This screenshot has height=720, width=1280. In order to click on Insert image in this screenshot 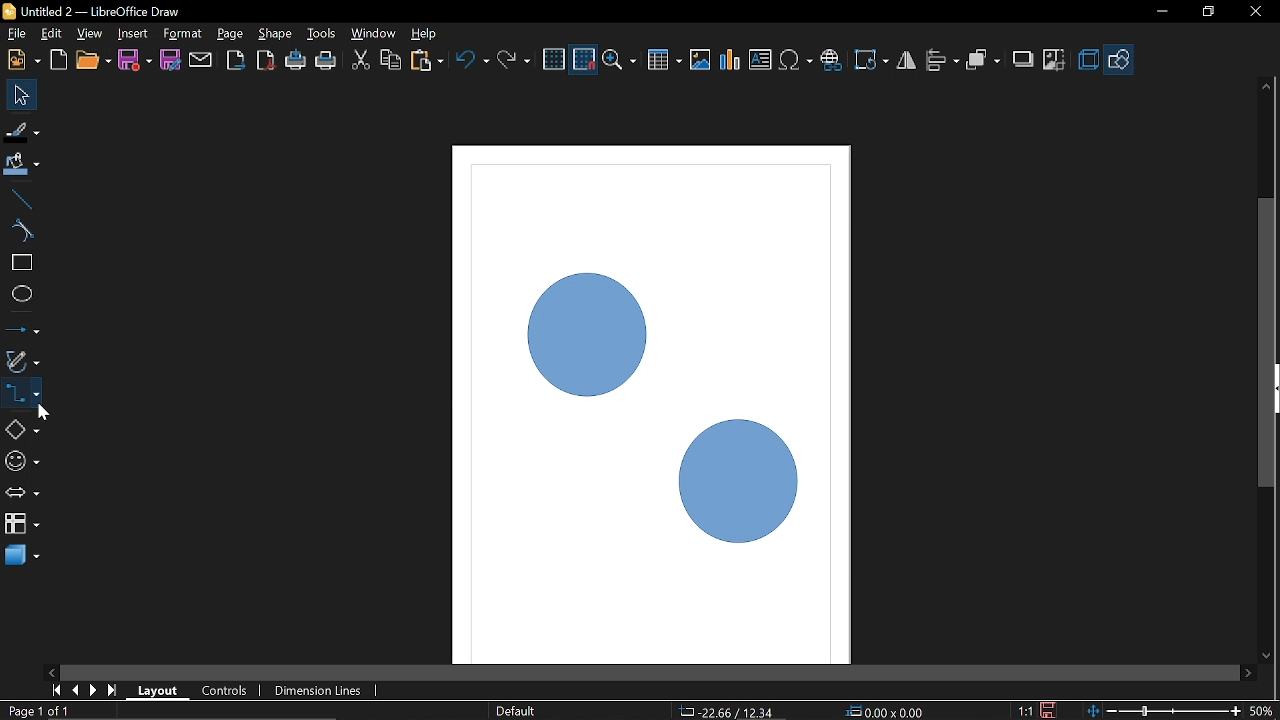, I will do `click(700, 60)`.